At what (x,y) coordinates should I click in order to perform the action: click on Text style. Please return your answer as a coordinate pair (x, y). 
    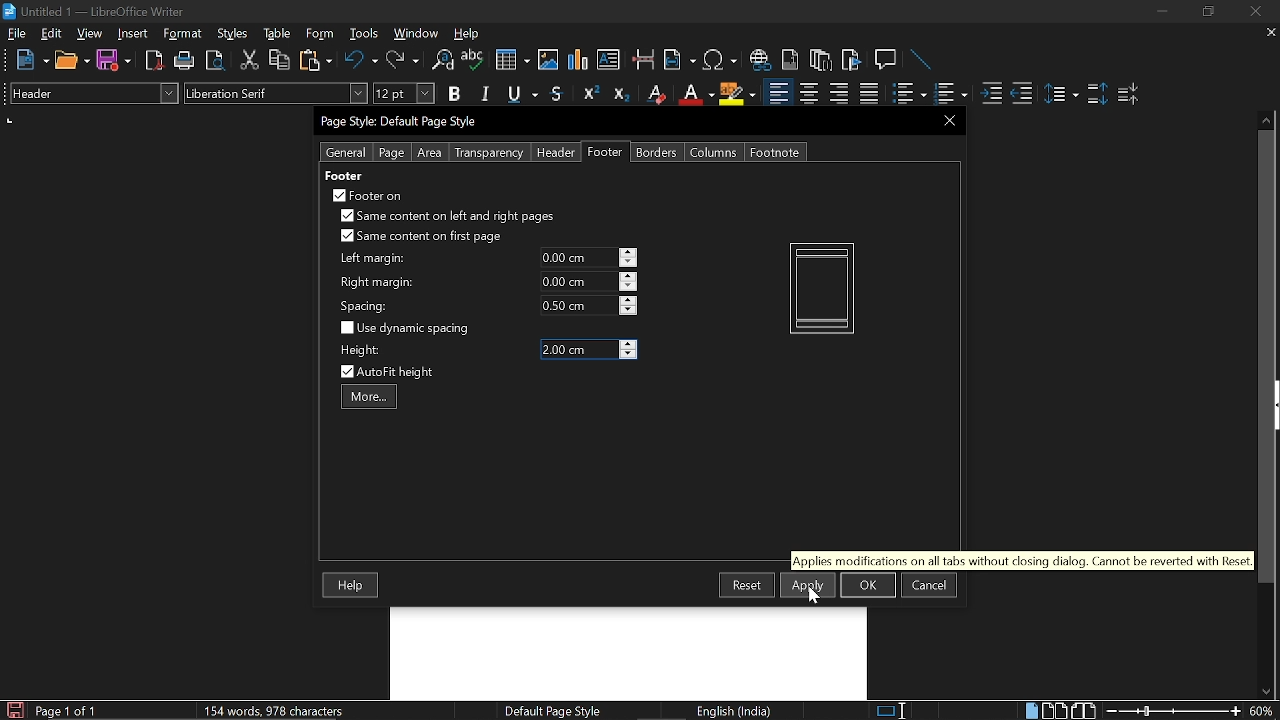
    Looking at the image, I should click on (277, 93).